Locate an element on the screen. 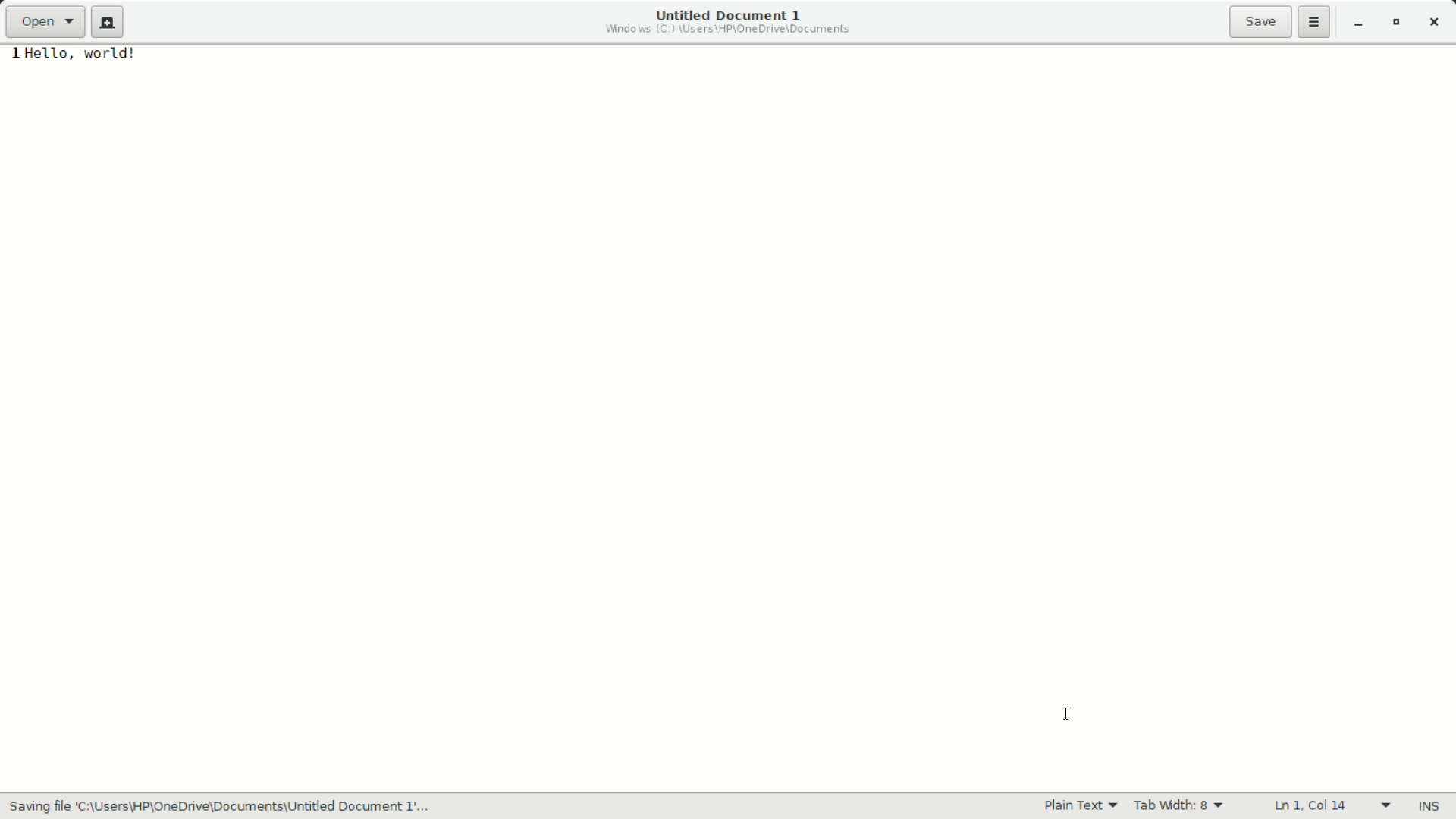 Image resolution: width=1456 pixels, height=819 pixels. minimize is located at coordinates (1358, 24).